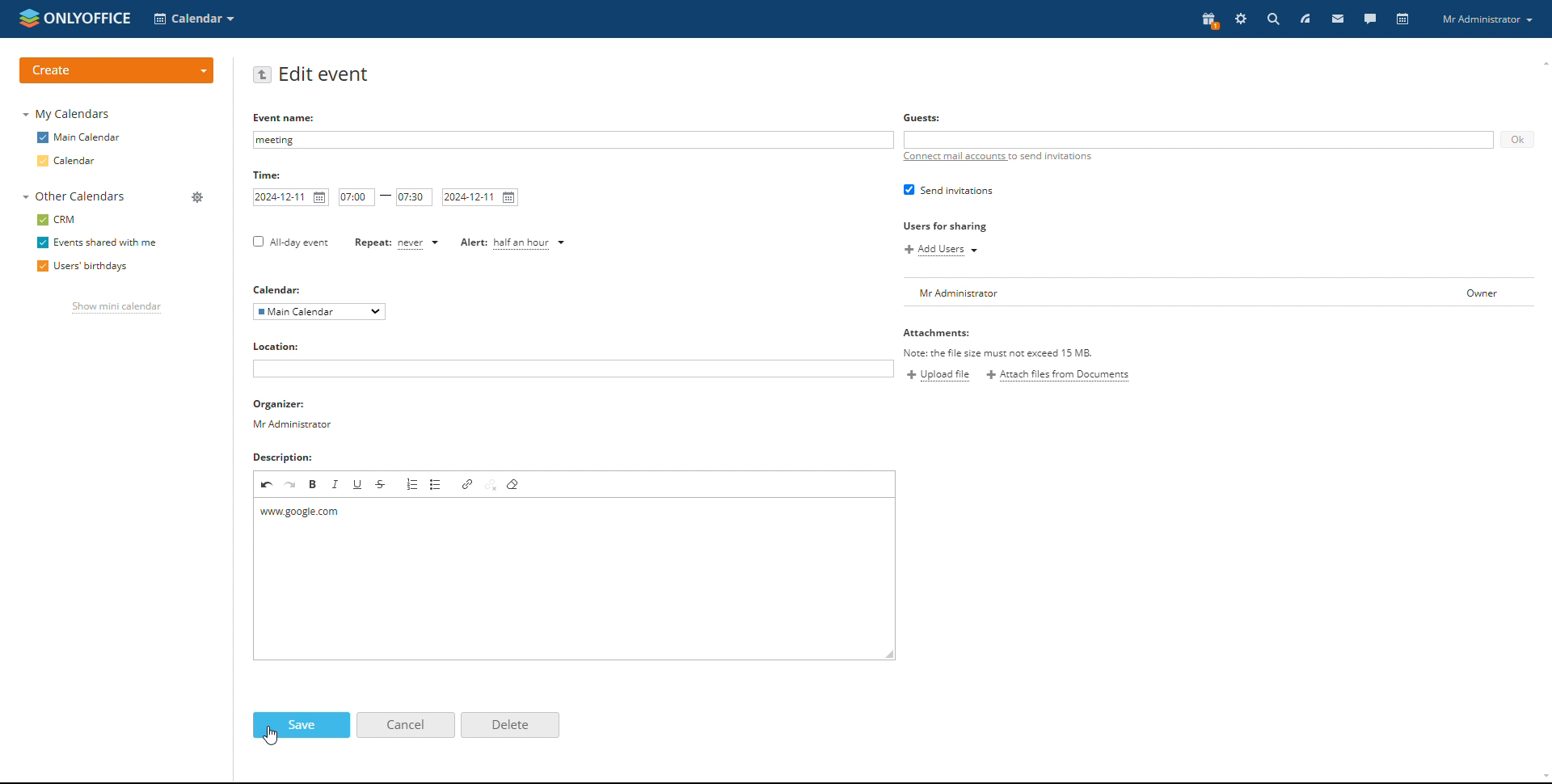  I want to click on search, so click(1272, 19).